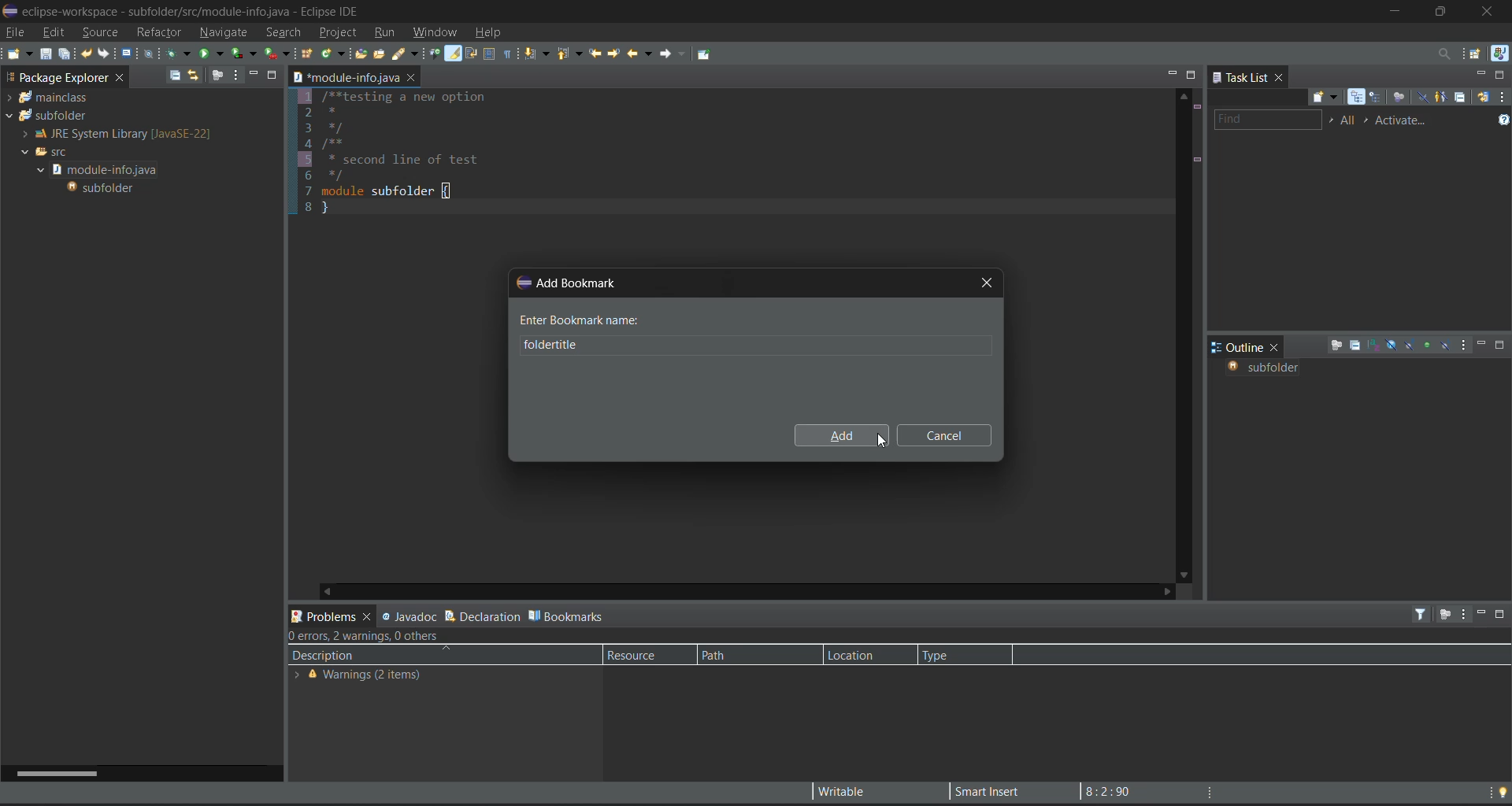  What do you see at coordinates (251, 74) in the screenshot?
I see `minimize` at bounding box center [251, 74].